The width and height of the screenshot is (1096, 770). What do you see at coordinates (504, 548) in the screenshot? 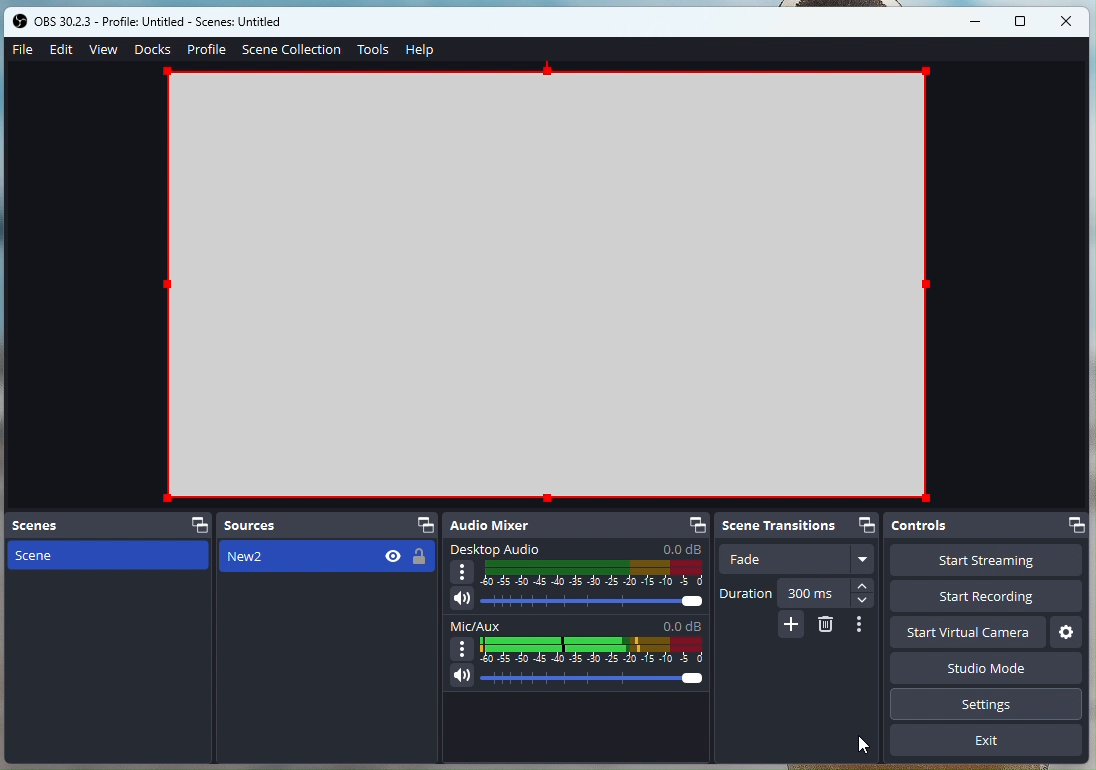
I see `Desktop Audio` at bounding box center [504, 548].